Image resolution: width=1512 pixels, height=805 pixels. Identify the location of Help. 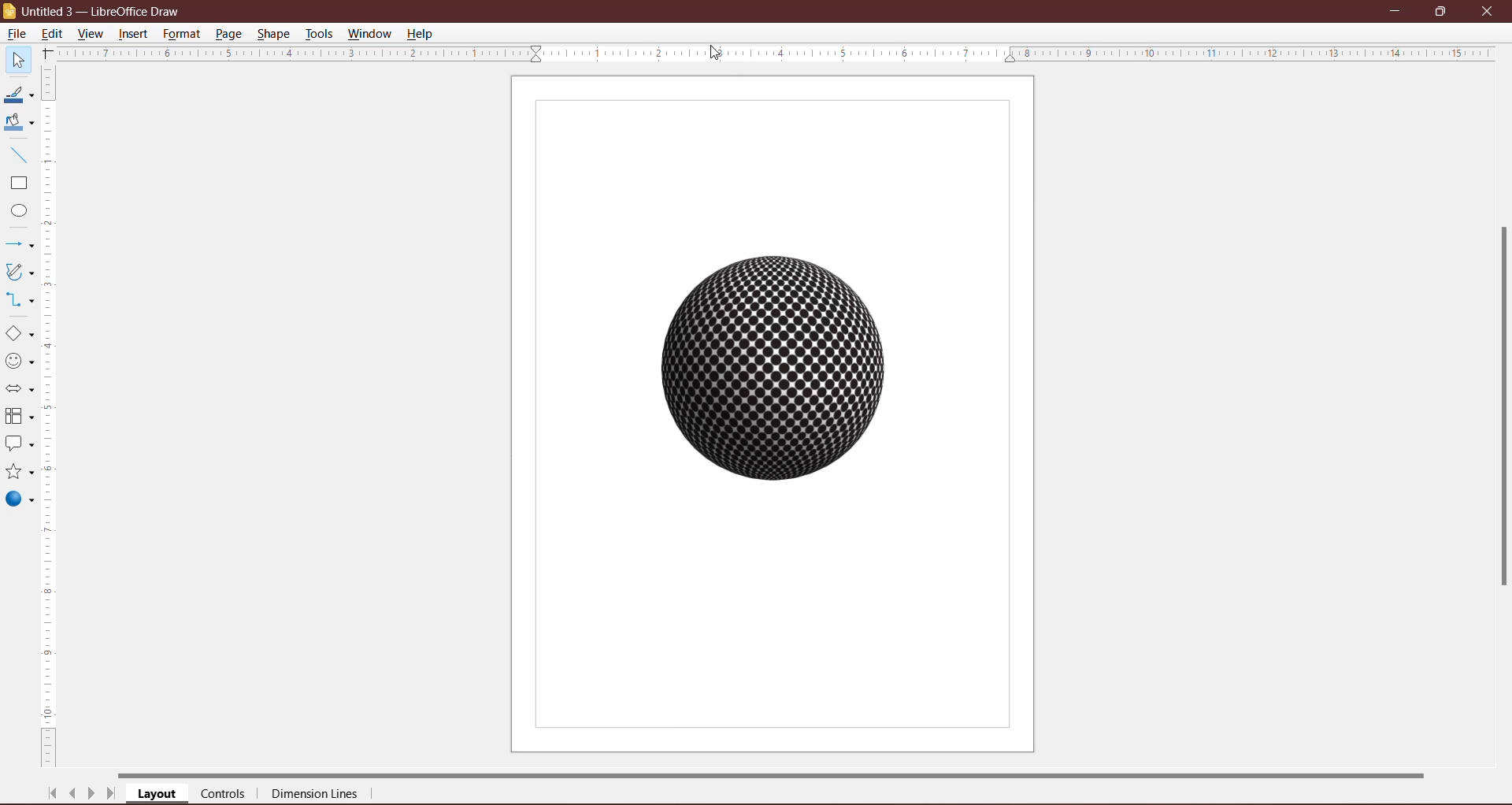
(422, 33).